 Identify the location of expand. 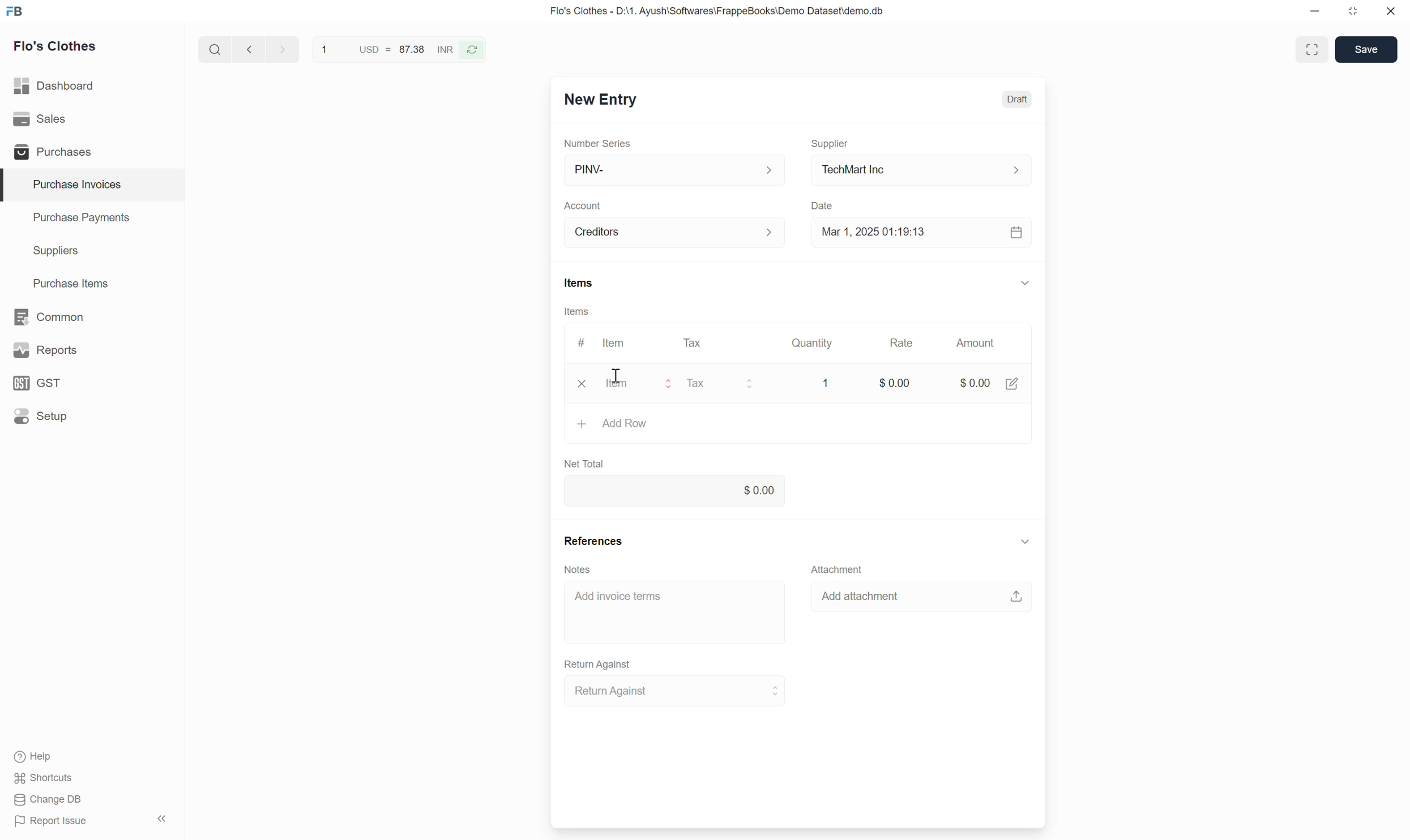
(1026, 282).